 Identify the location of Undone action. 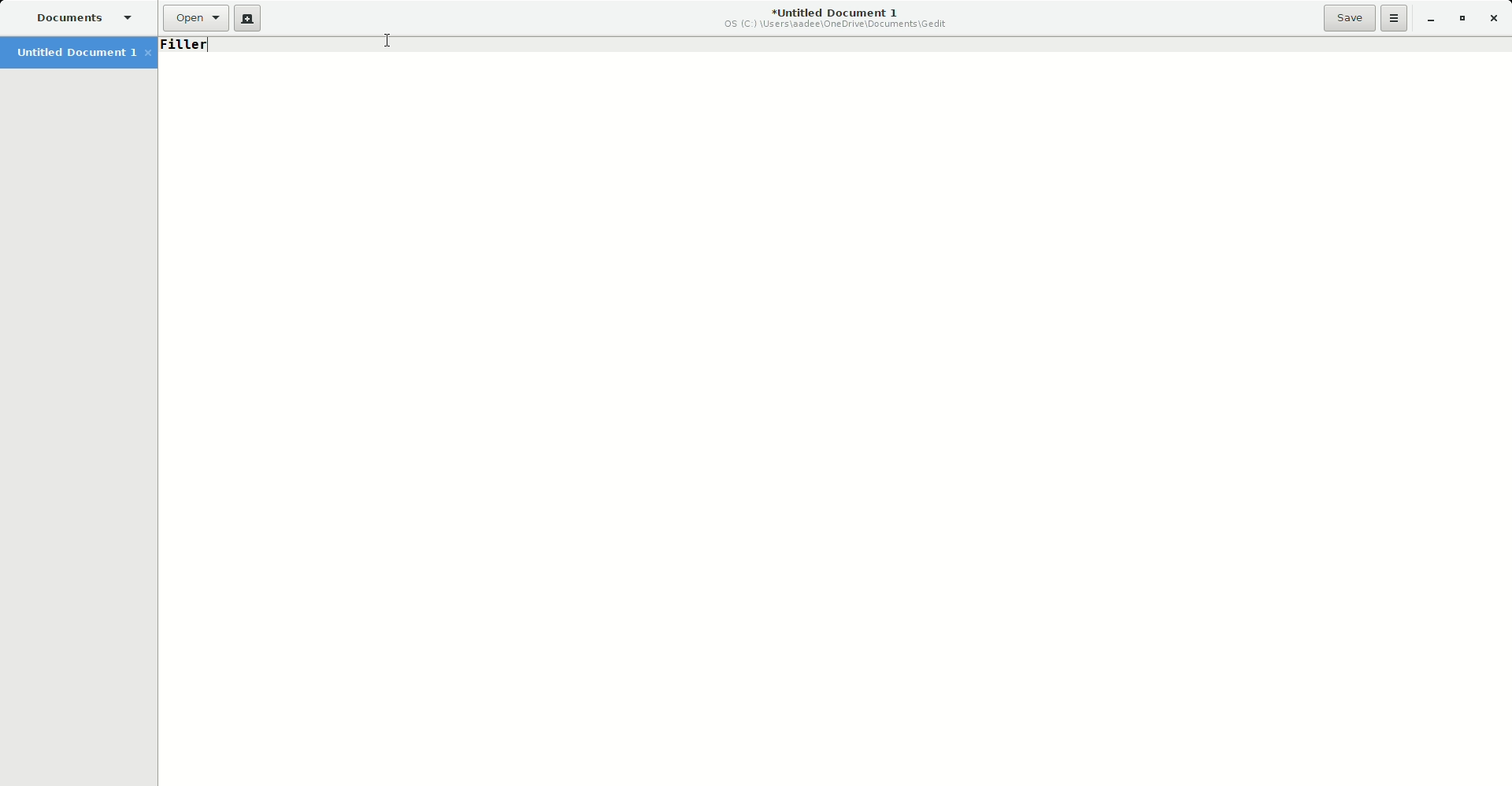
(188, 45).